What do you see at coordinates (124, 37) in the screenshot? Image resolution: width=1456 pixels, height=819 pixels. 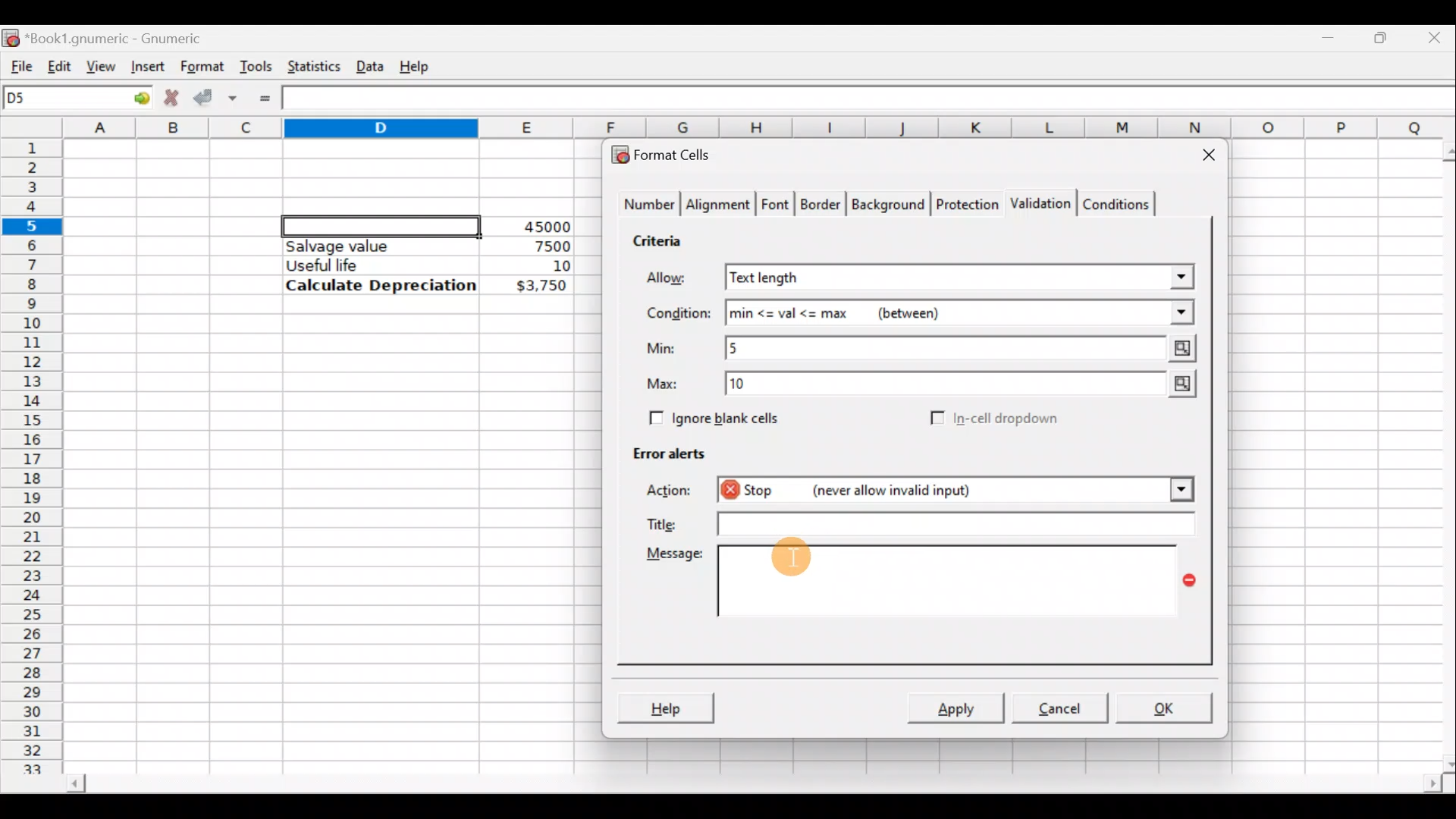 I see `Book1.gnumeric - Gnumeric` at bounding box center [124, 37].